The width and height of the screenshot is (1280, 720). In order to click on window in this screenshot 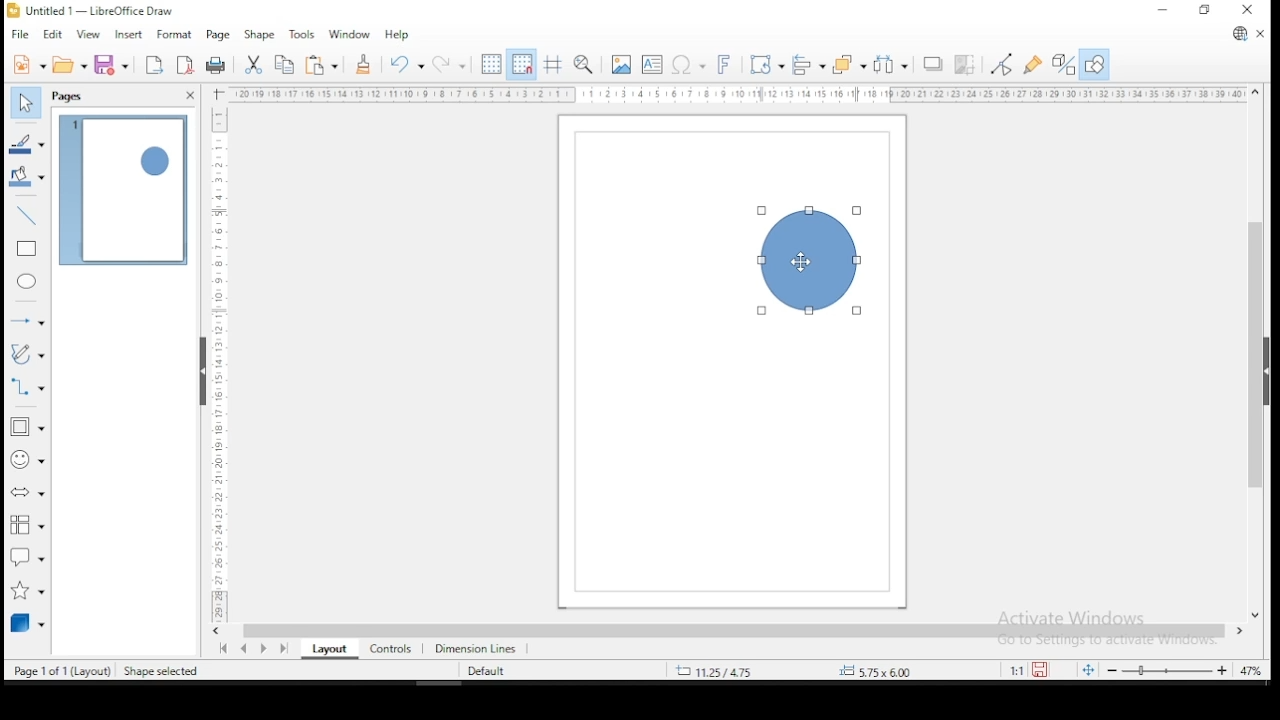, I will do `click(349, 33)`.